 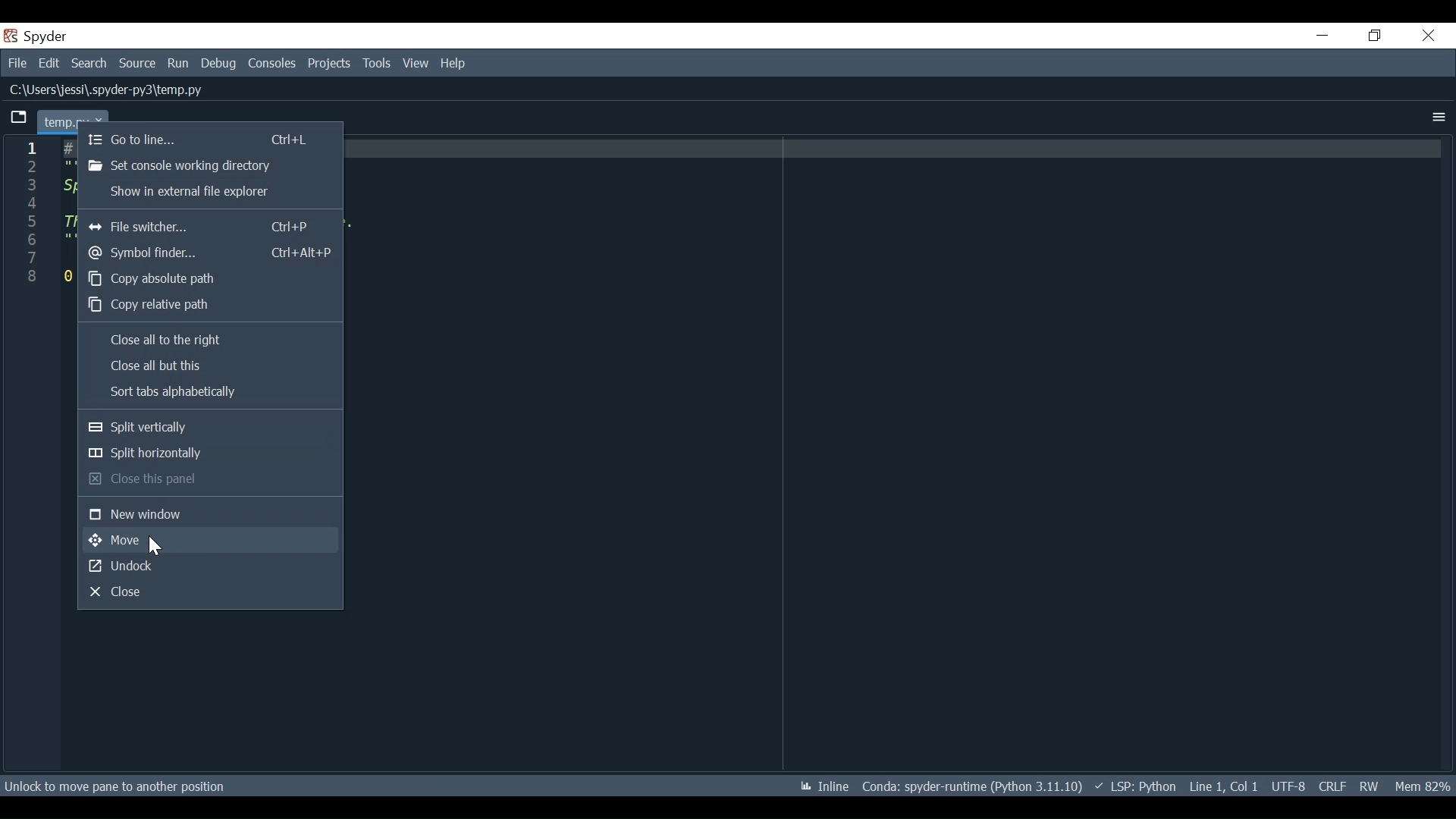 What do you see at coordinates (1325, 35) in the screenshot?
I see `Minimize` at bounding box center [1325, 35].